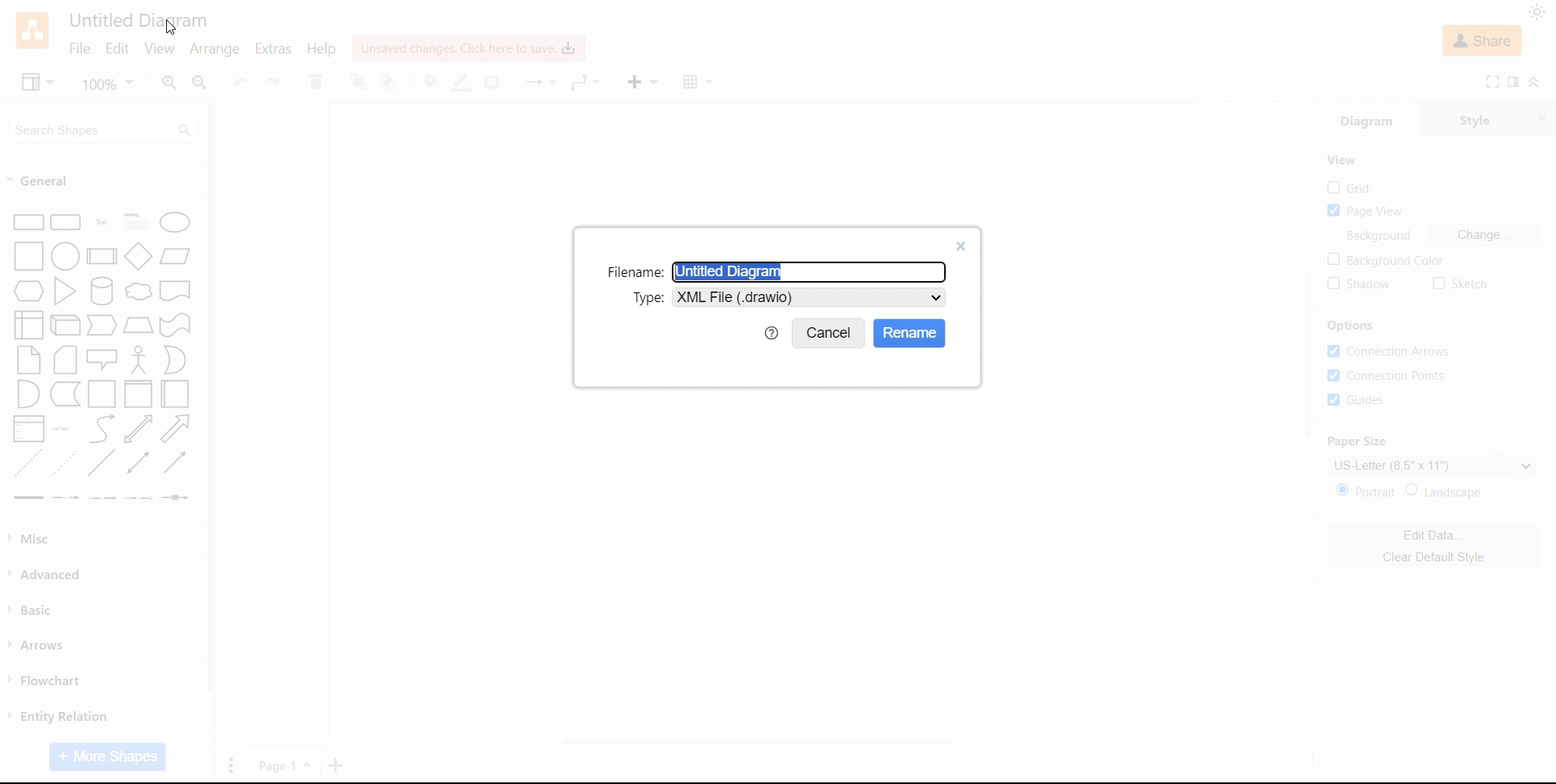 The image size is (1556, 784). What do you see at coordinates (240, 83) in the screenshot?
I see `Undo ` at bounding box center [240, 83].